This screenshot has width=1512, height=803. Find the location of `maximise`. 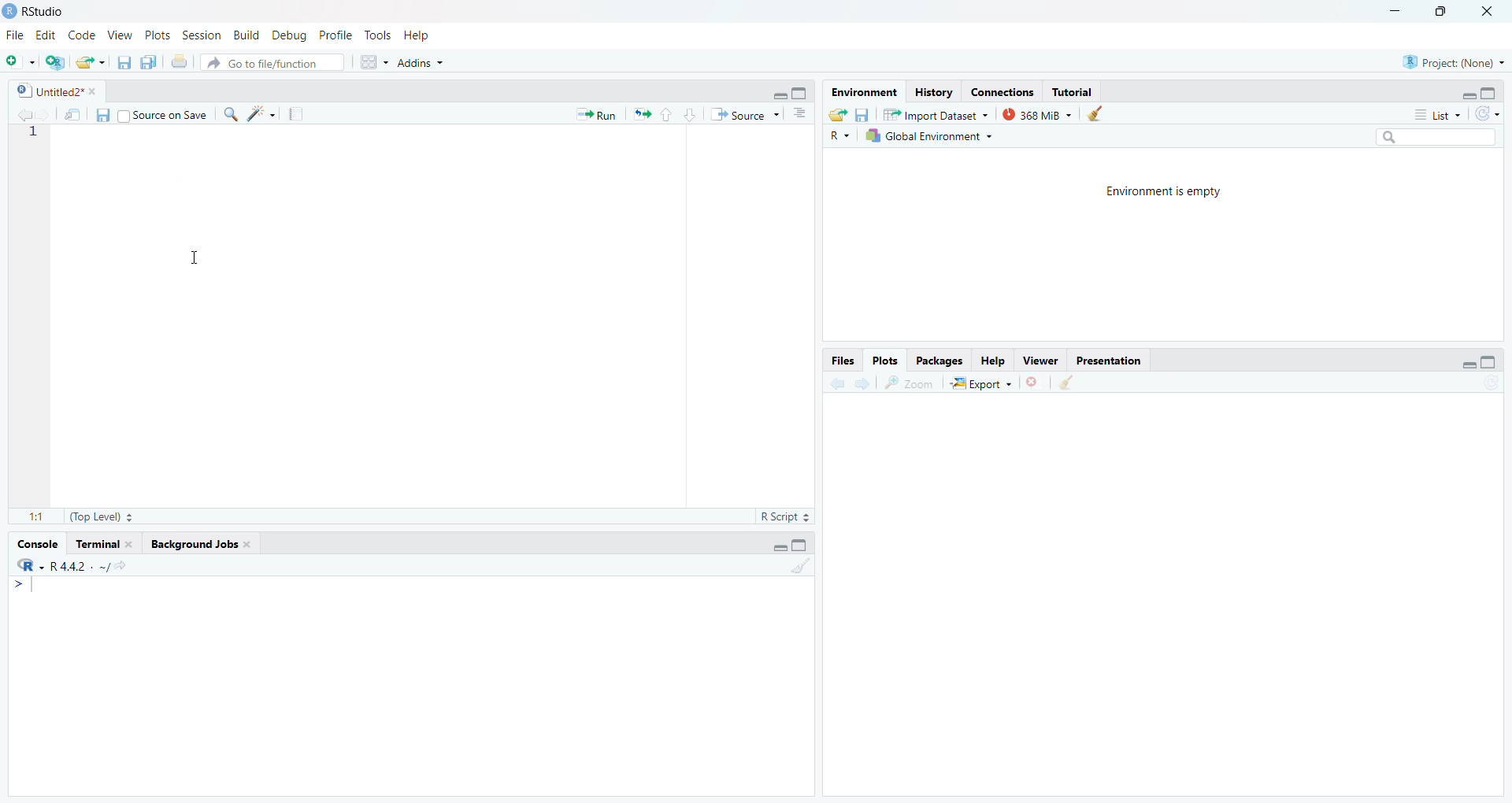

maximise is located at coordinates (806, 546).